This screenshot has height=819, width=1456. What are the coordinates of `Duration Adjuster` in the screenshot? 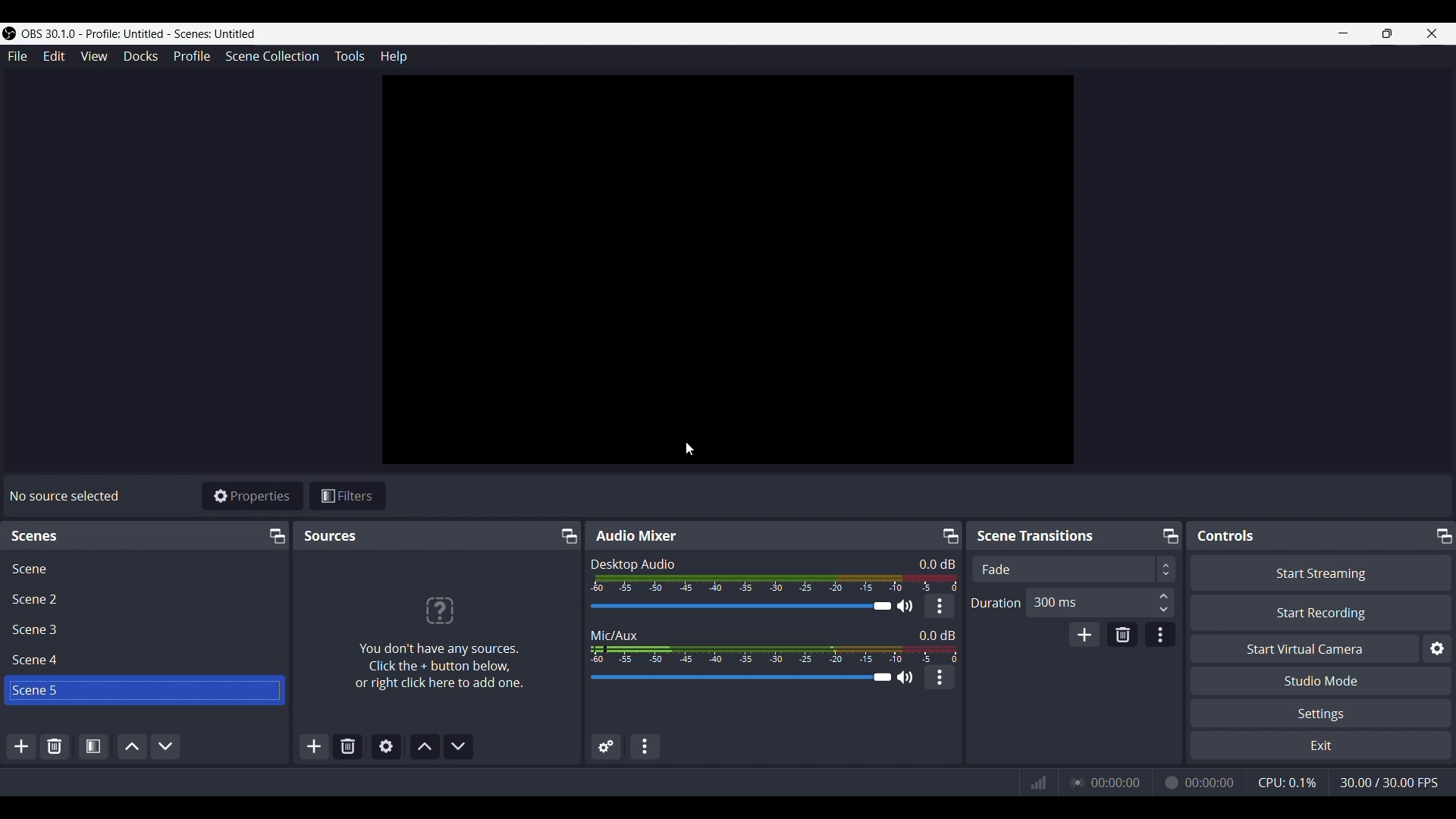 It's located at (995, 602).